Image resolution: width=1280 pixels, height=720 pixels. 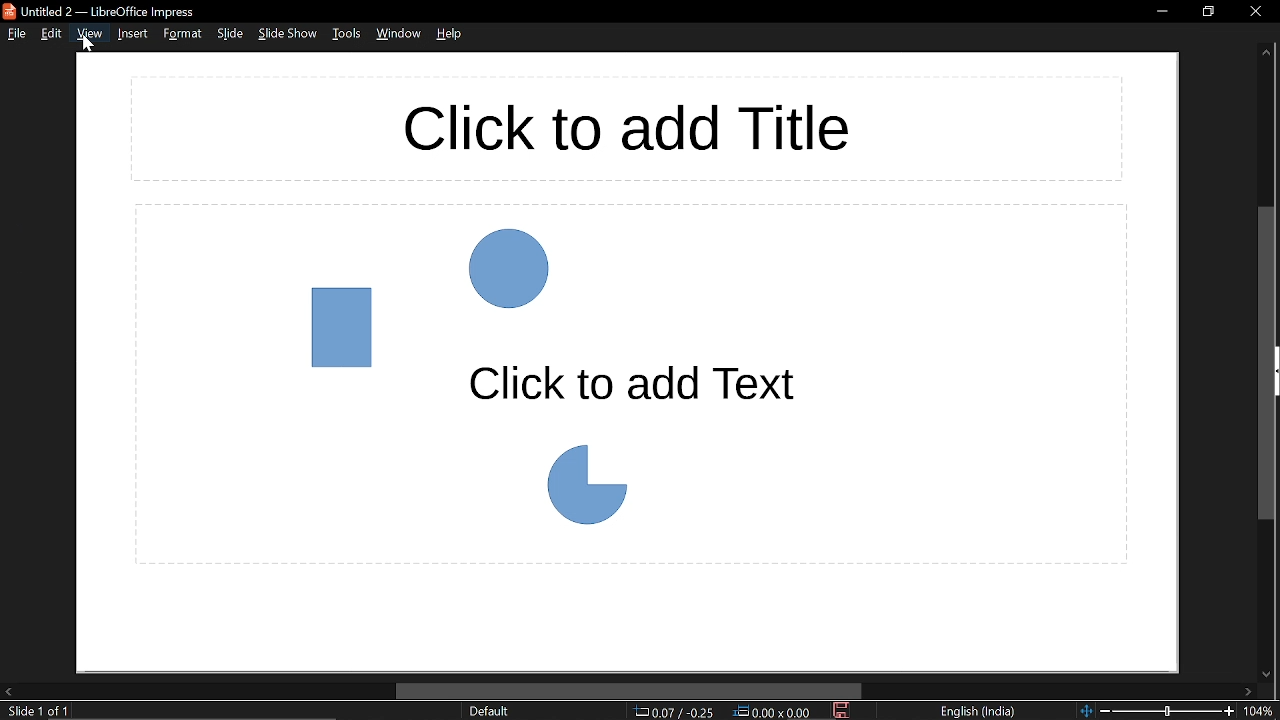 What do you see at coordinates (675, 712) in the screenshot?
I see `Position` at bounding box center [675, 712].